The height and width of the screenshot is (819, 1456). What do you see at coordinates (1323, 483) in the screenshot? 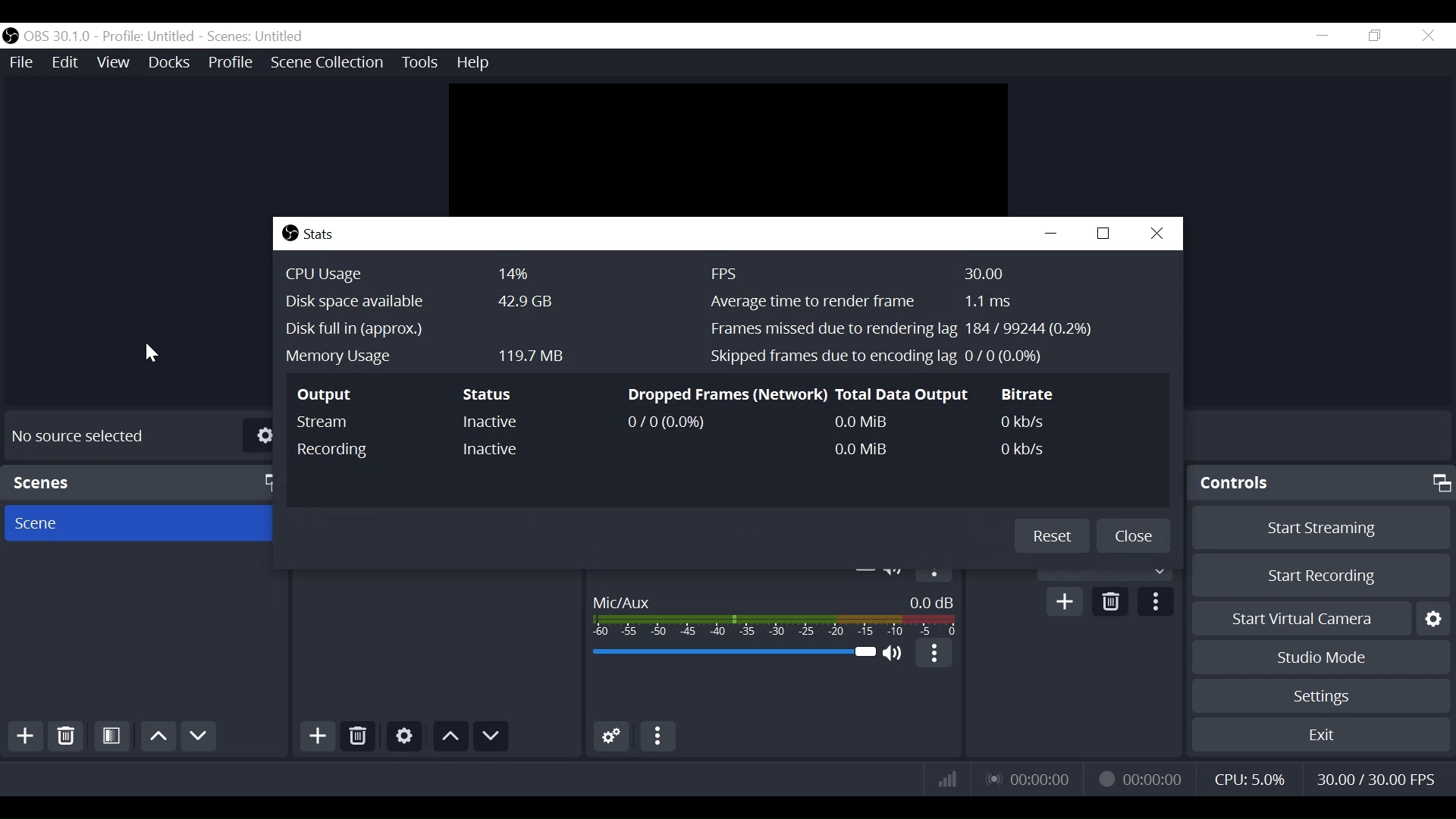
I see `Controls` at bounding box center [1323, 483].